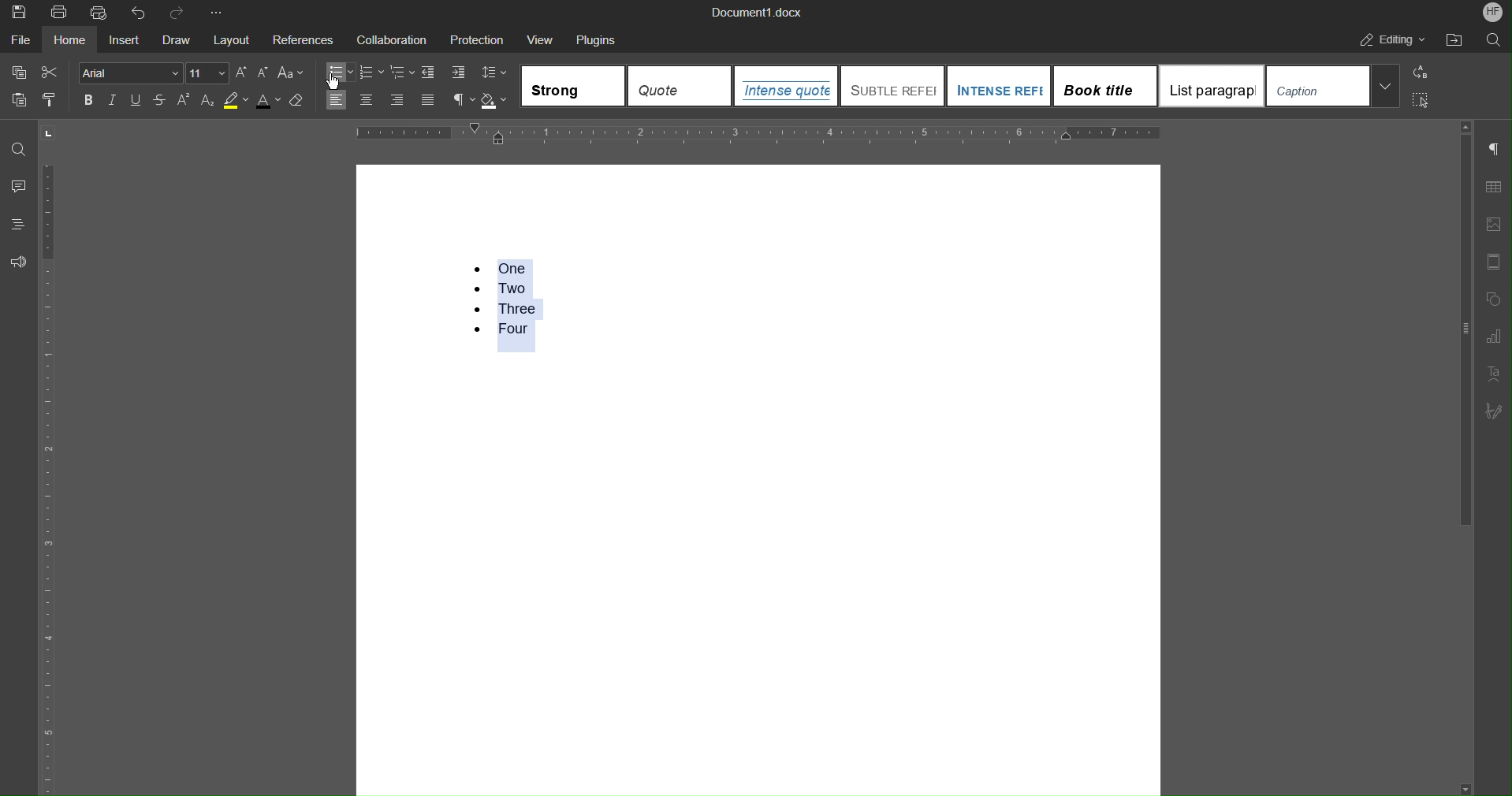 The image size is (1512, 796). Describe the element at coordinates (574, 86) in the screenshot. I see `Strong` at that location.